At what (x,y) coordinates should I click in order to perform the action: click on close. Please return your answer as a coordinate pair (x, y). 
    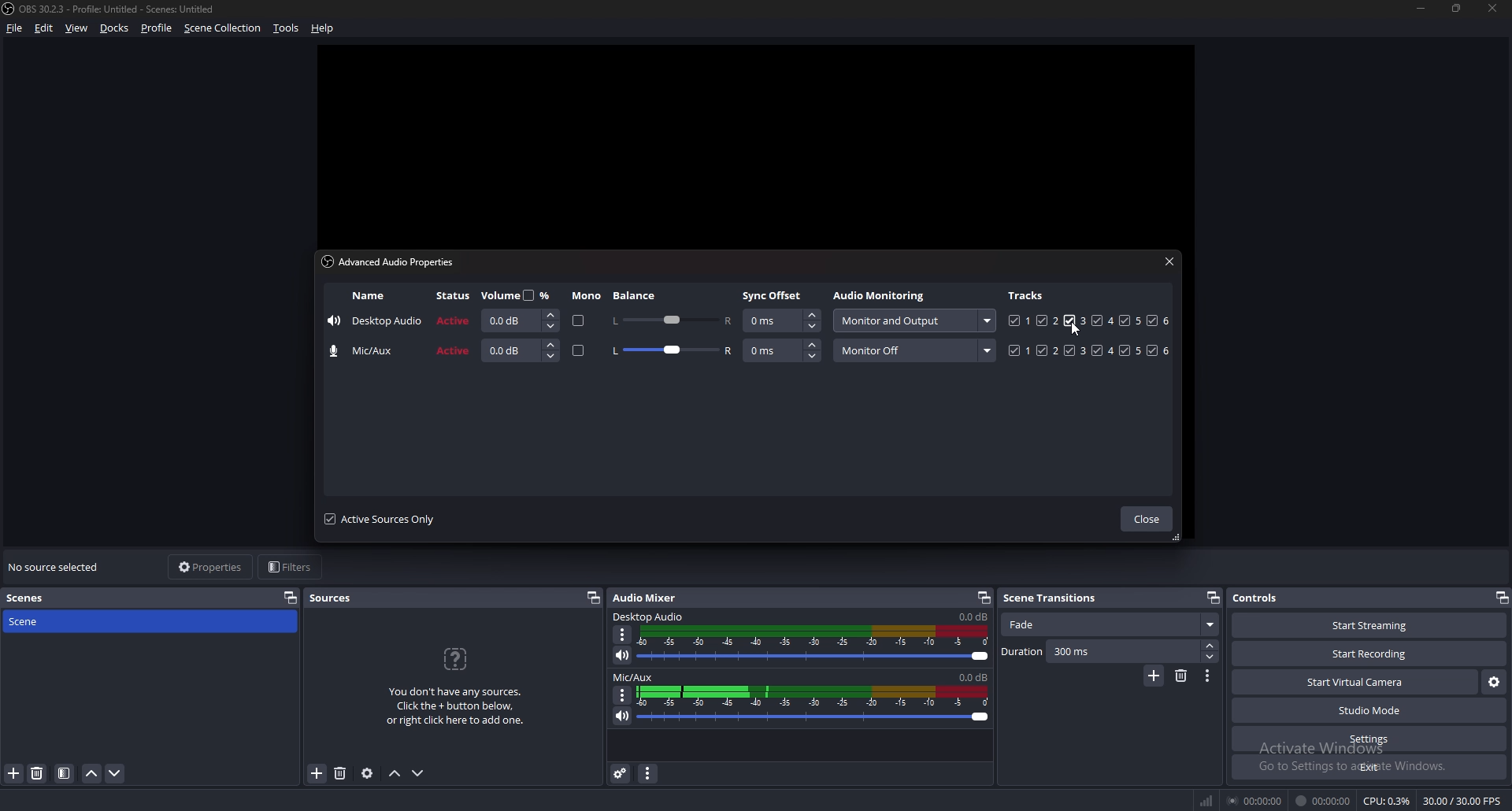
    Looking at the image, I should click on (1169, 261).